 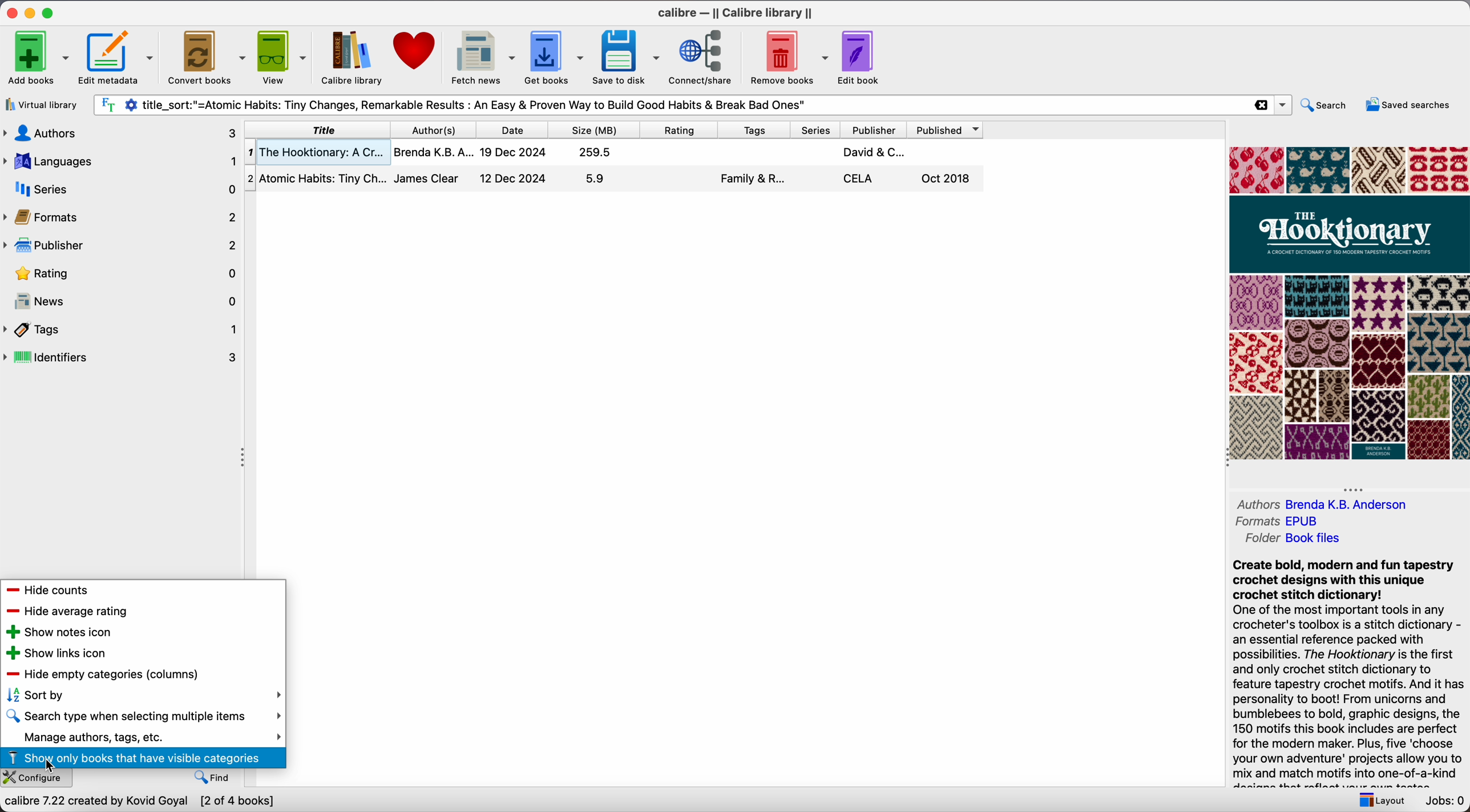 What do you see at coordinates (788, 55) in the screenshot?
I see `remove books` at bounding box center [788, 55].